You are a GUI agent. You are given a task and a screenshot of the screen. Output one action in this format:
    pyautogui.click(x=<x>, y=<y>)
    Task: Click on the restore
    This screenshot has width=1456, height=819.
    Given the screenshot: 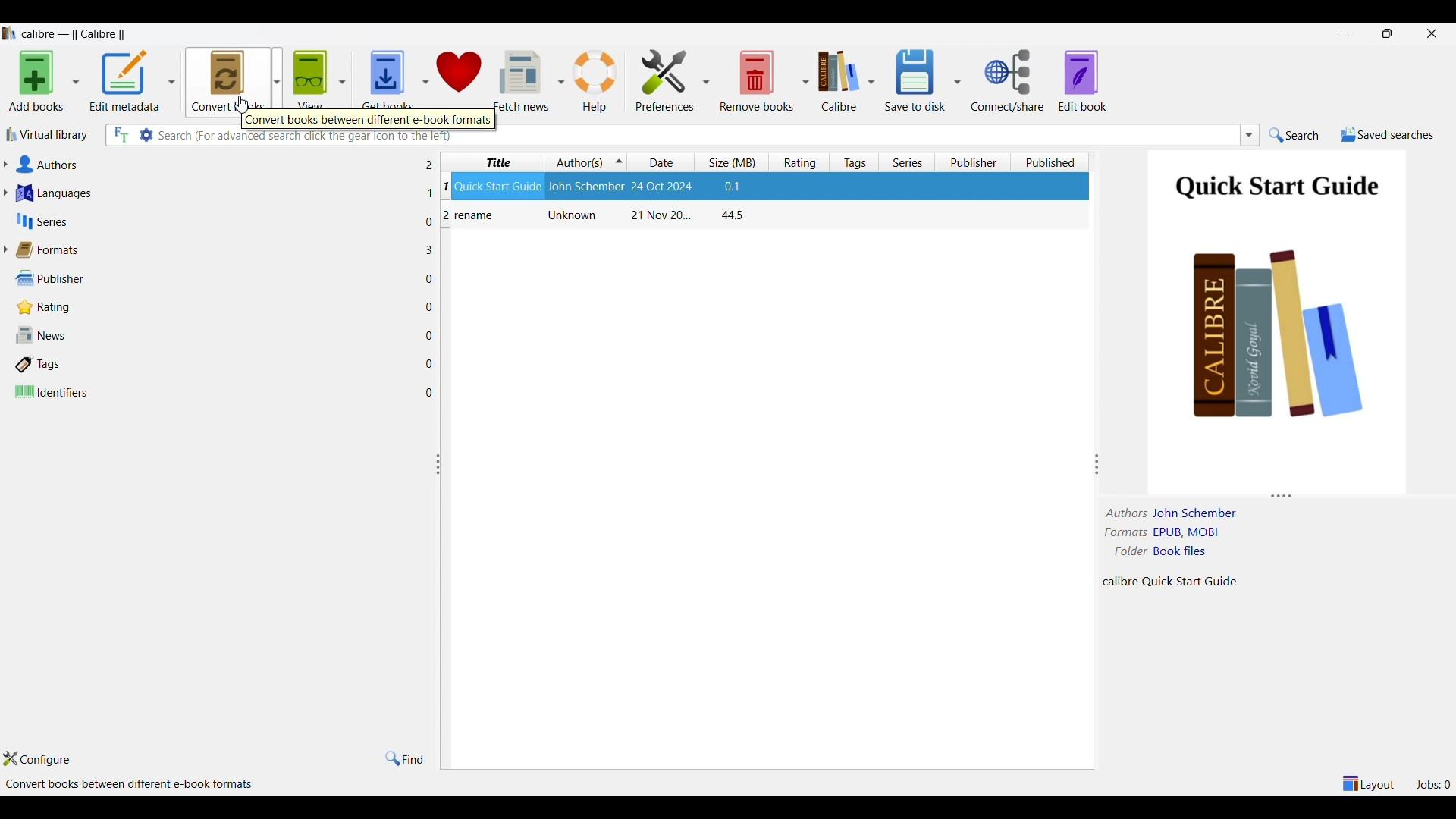 What is the action you would take?
    pyautogui.click(x=1388, y=33)
    